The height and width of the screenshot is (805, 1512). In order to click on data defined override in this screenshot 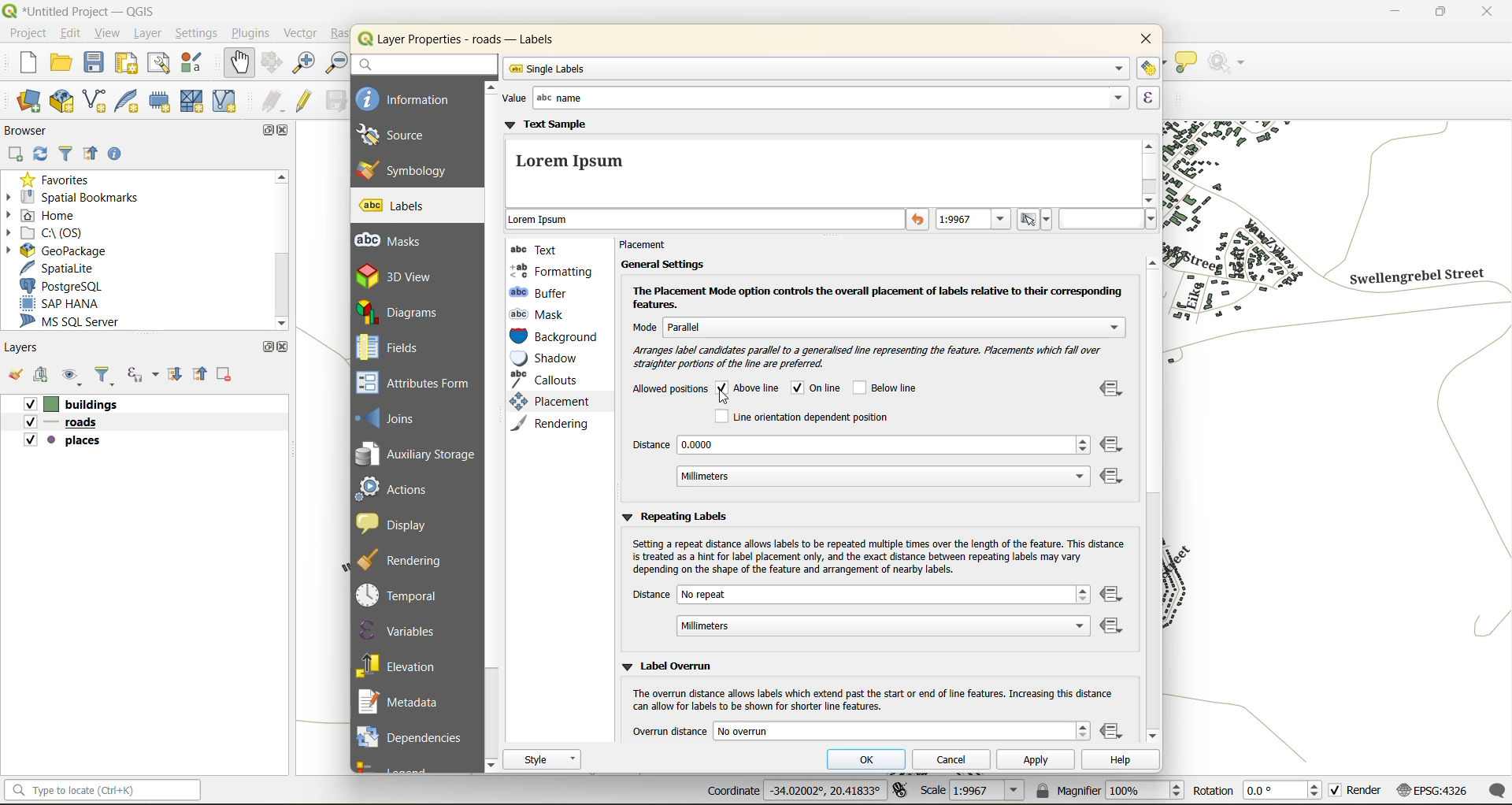, I will do `click(1114, 434)`.